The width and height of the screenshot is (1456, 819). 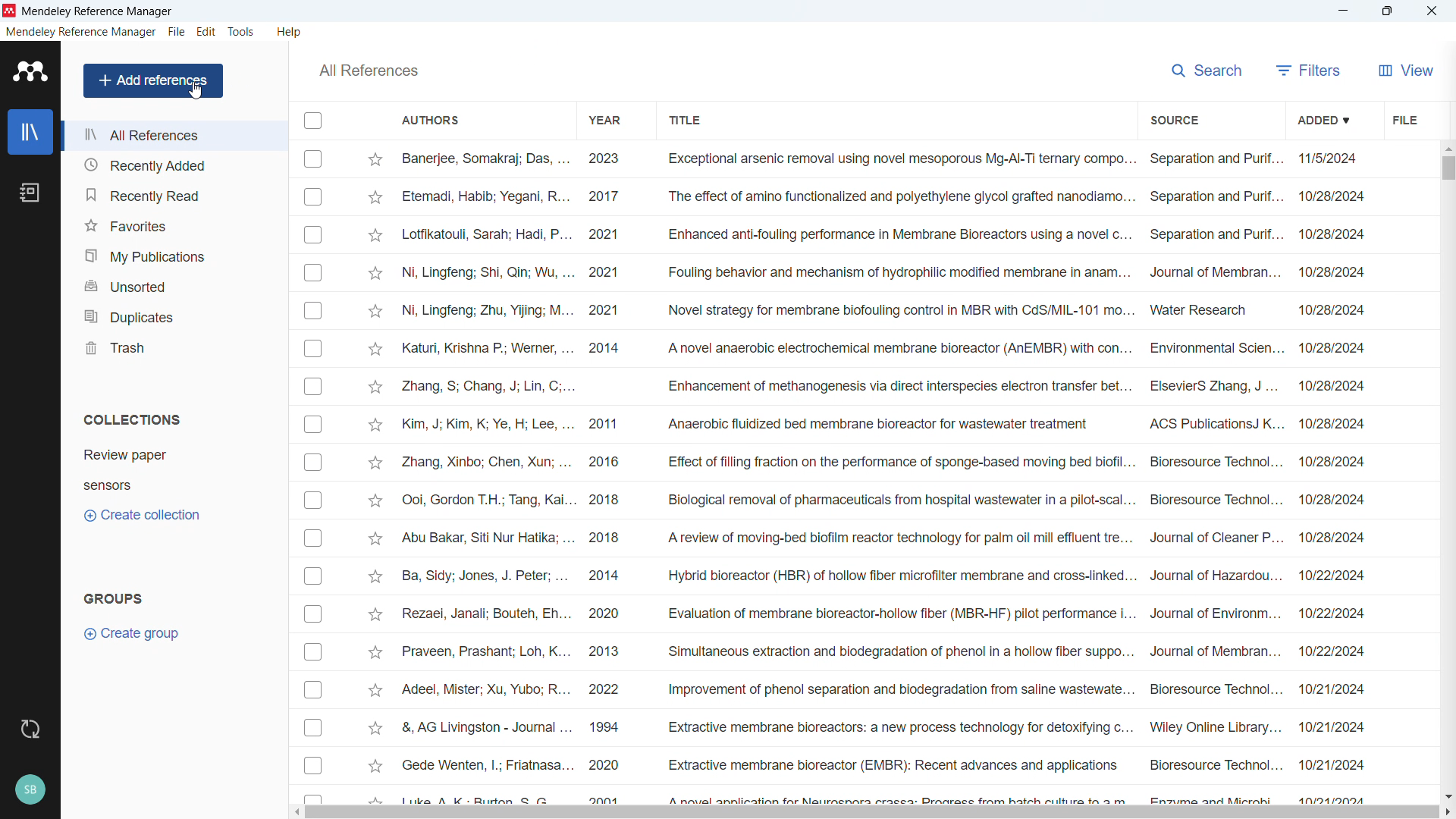 I want to click on View , so click(x=1406, y=70).